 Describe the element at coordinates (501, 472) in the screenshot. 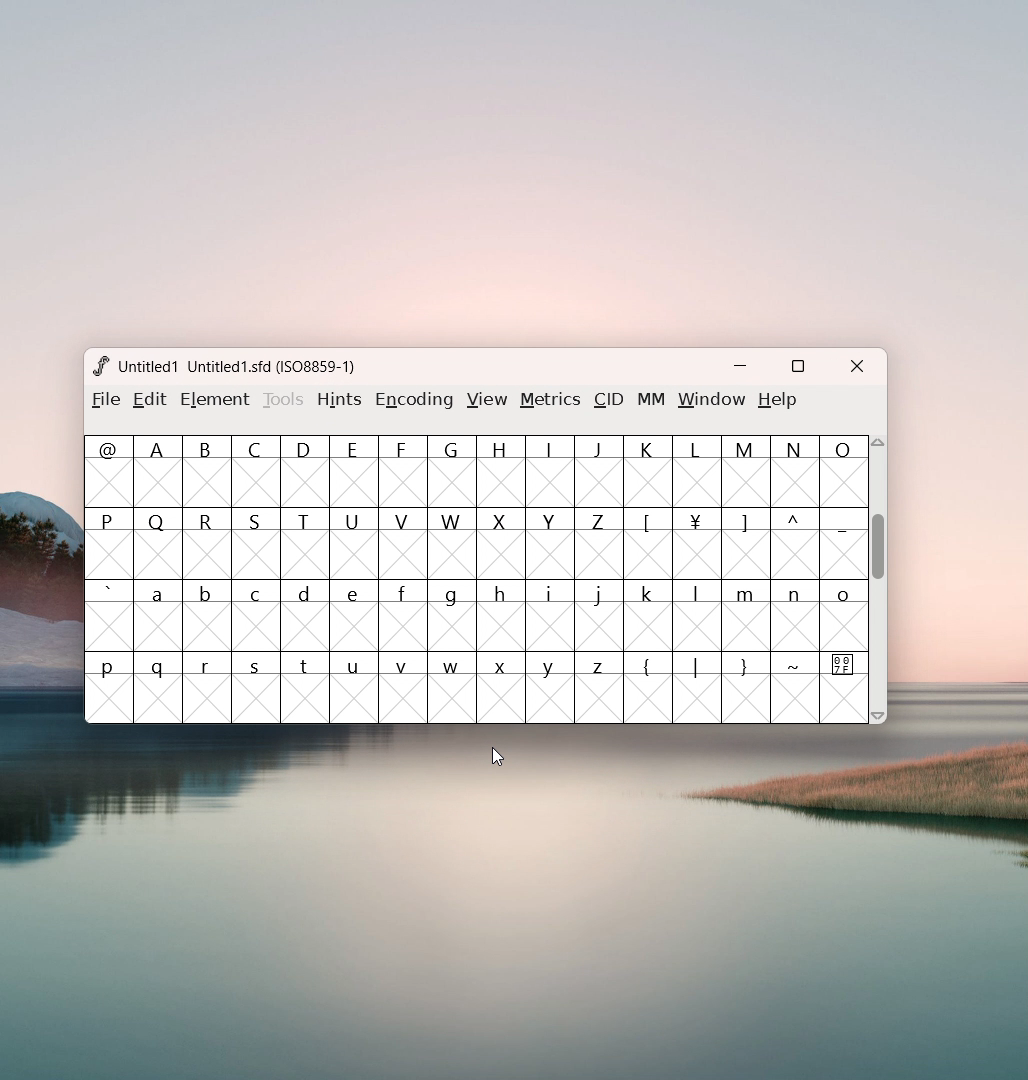

I see `H` at that location.